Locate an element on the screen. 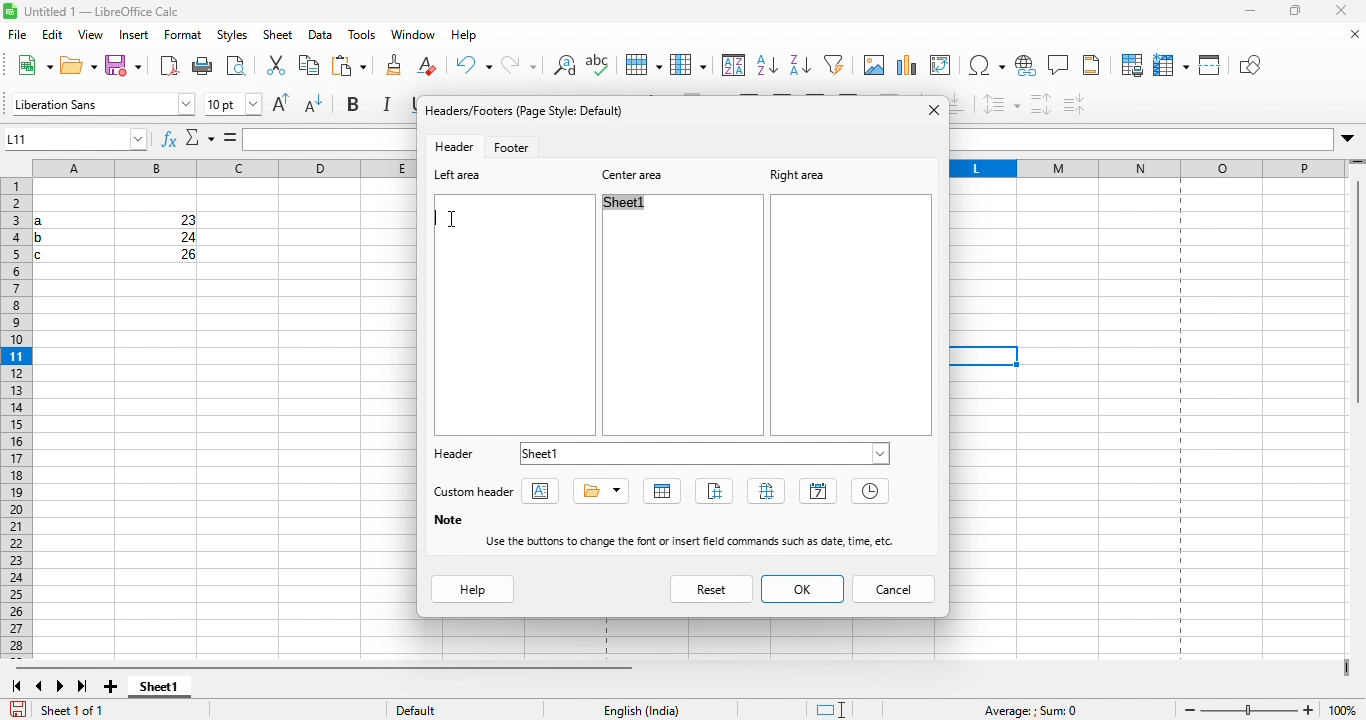 The height and width of the screenshot is (720, 1366). view is located at coordinates (92, 38).